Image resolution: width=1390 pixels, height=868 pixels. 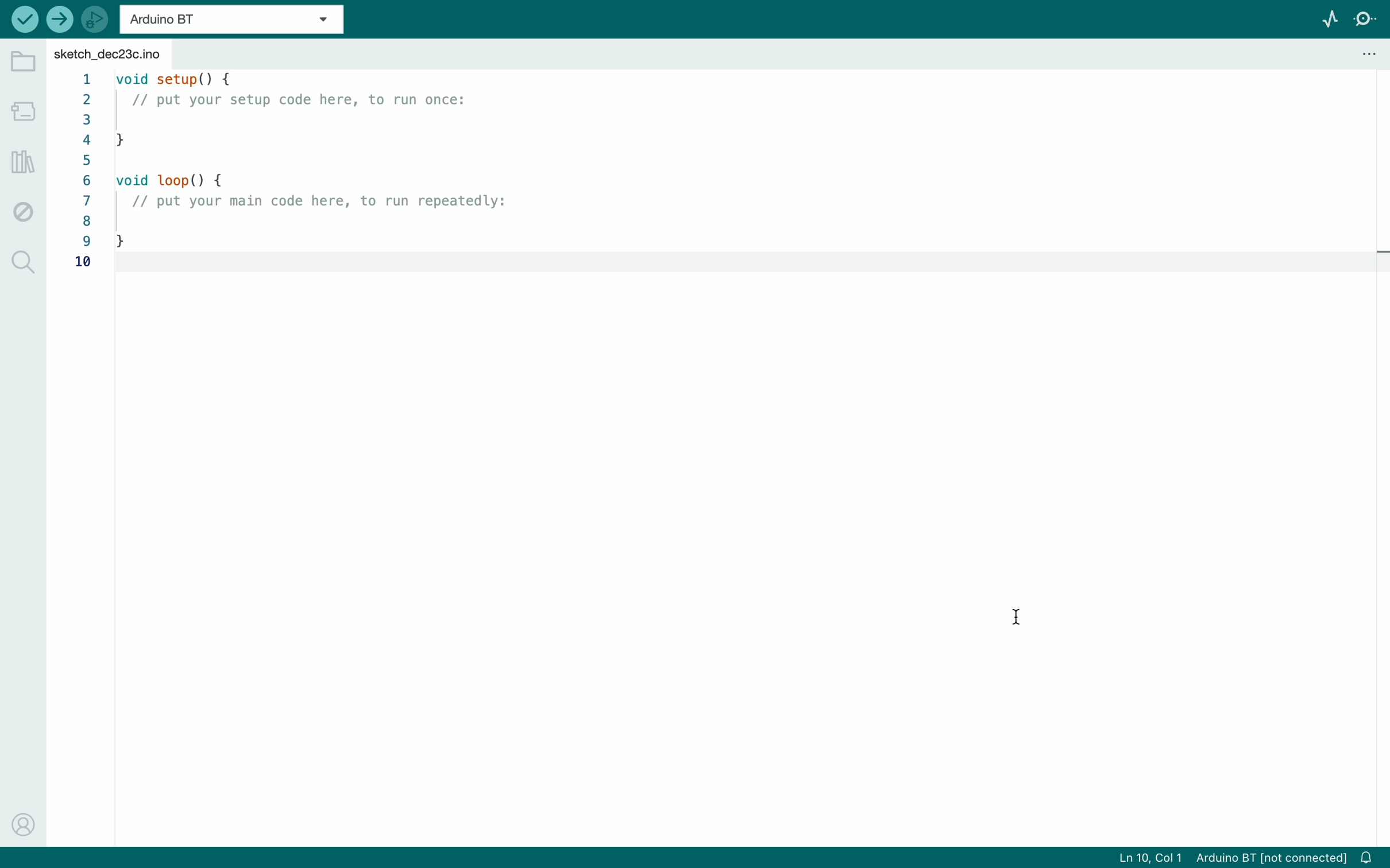 I want to click on debug, so click(x=22, y=214).